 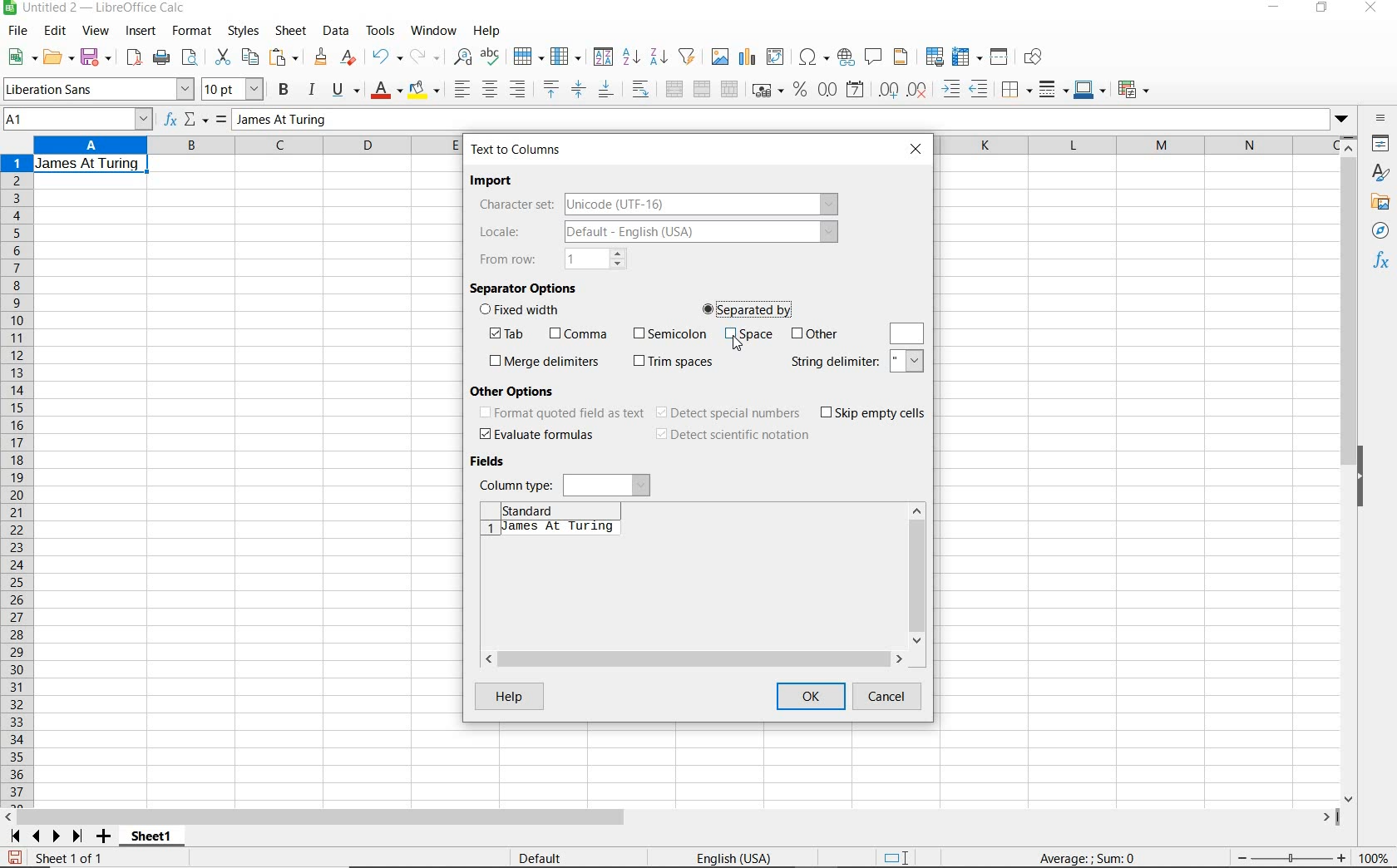 What do you see at coordinates (249, 57) in the screenshot?
I see `copy` at bounding box center [249, 57].